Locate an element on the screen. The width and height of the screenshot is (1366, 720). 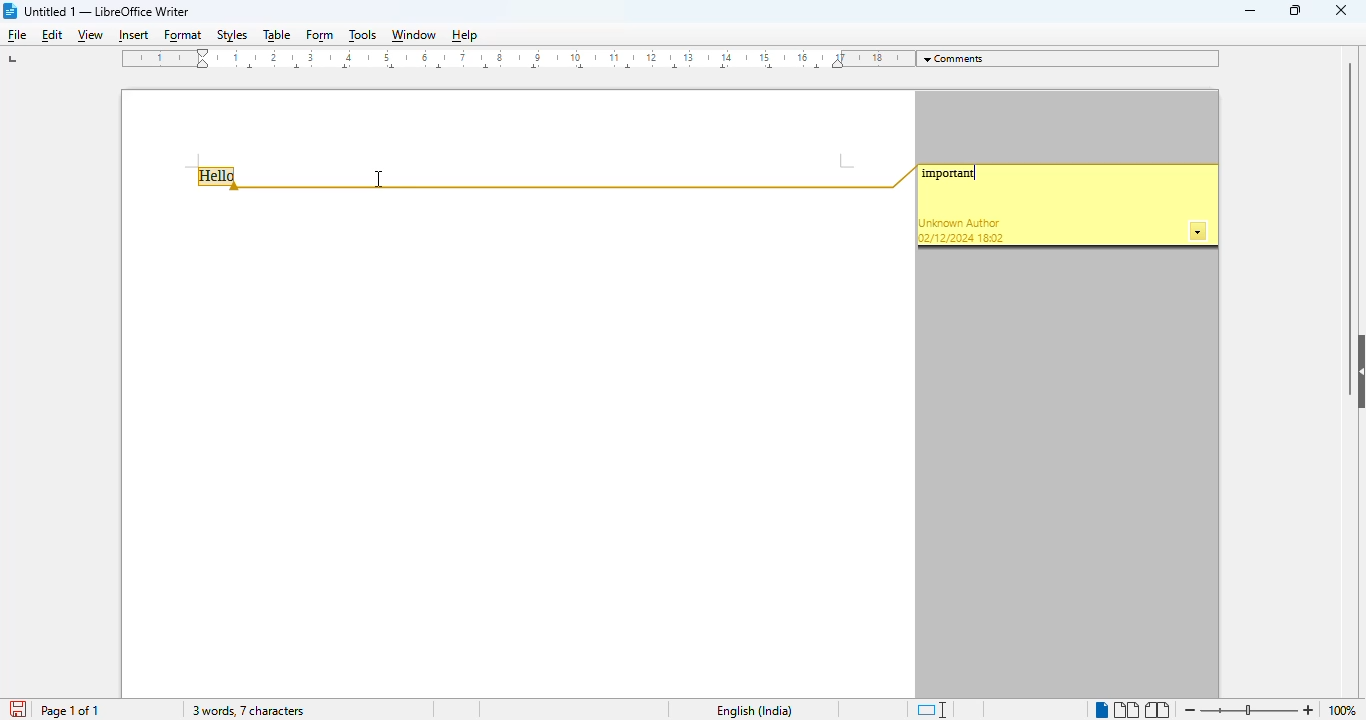
ruler is located at coordinates (514, 59).